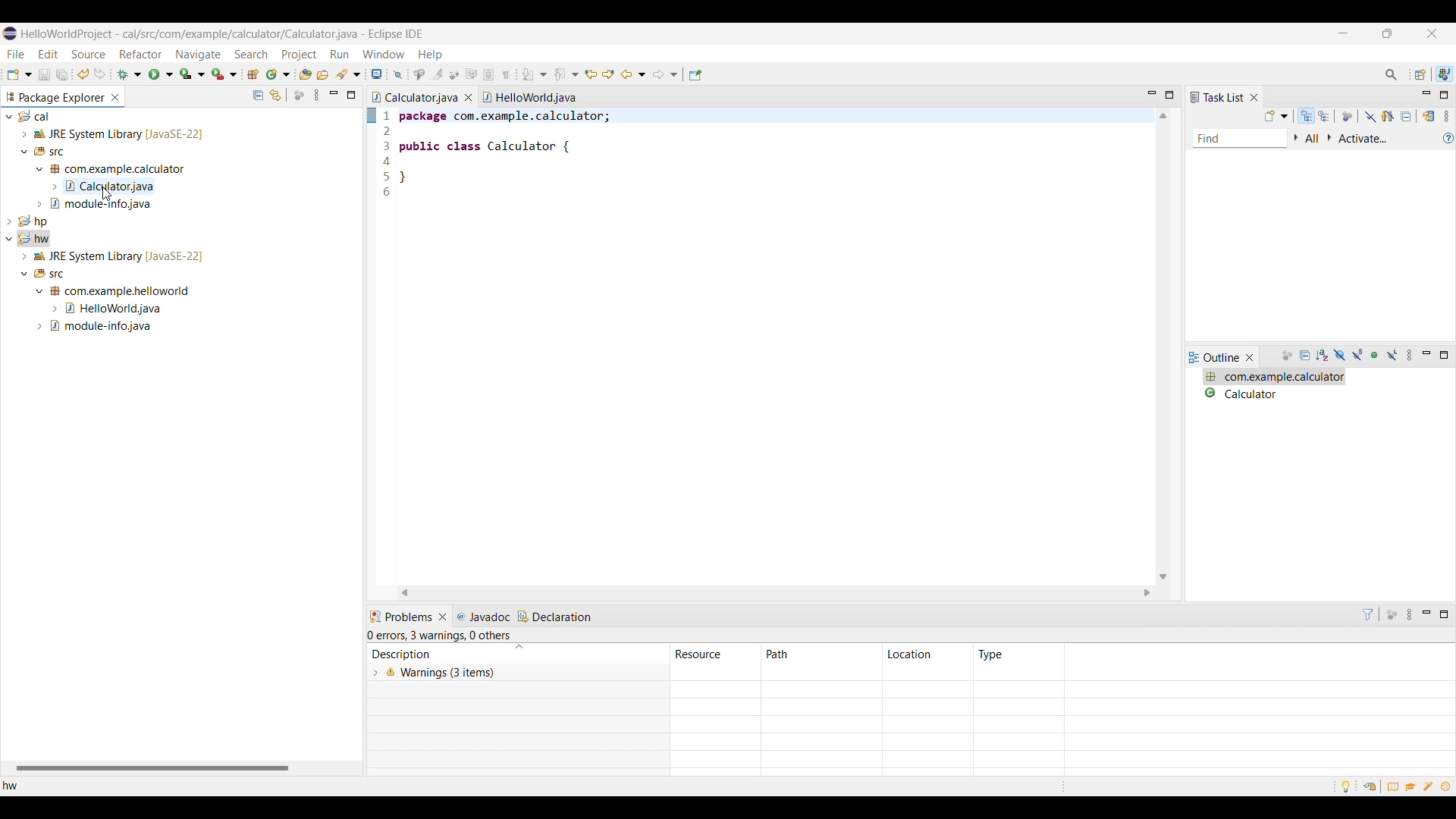 The image size is (1456, 819). What do you see at coordinates (259, 95) in the screenshot?
I see `Collapse all` at bounding box center [259, 95].